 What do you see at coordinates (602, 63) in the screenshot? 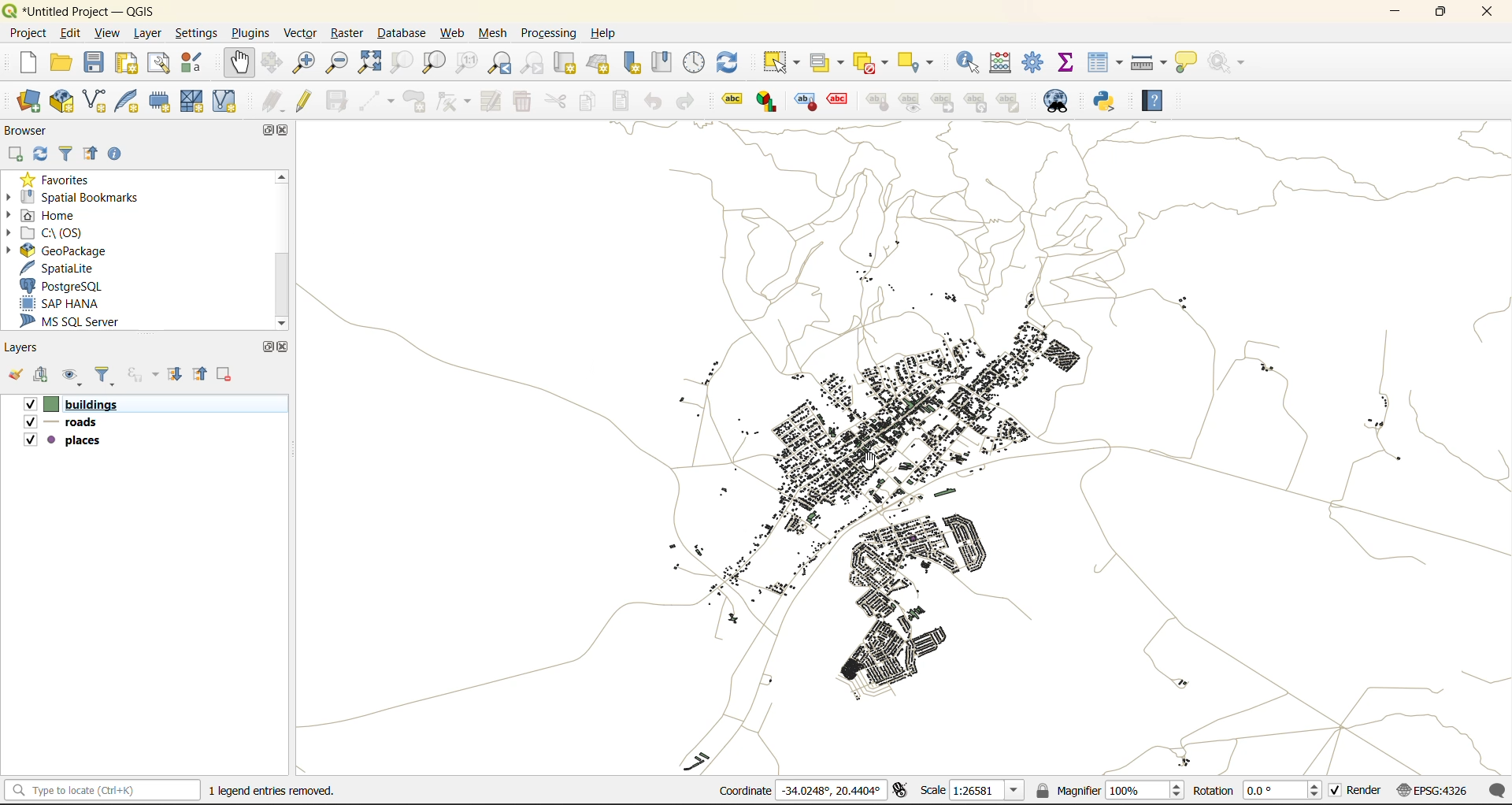
I see `new 3d map view` at bounding box center [602, 63].